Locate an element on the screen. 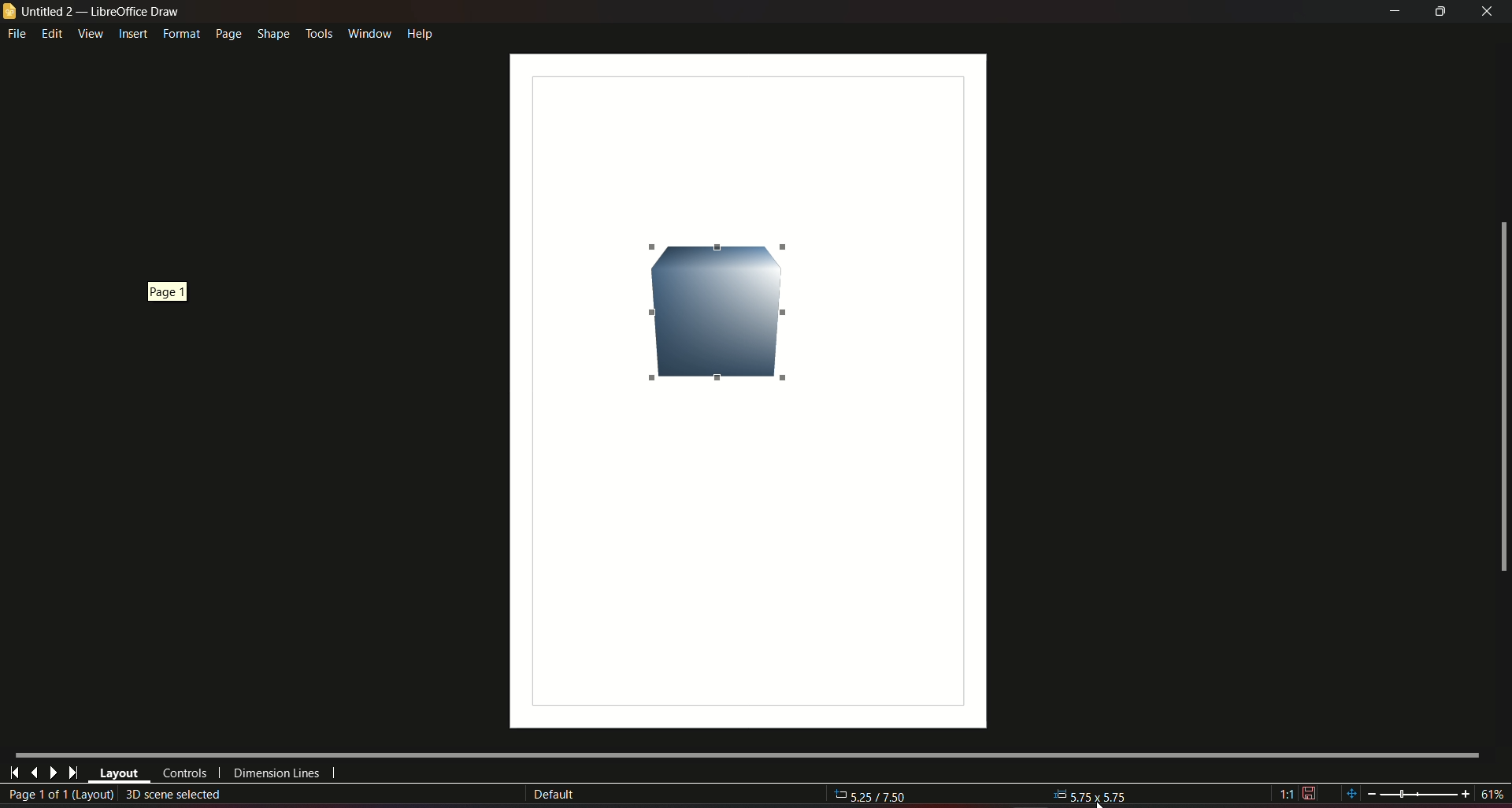  1:1 is located at coordinates (1298, 794).